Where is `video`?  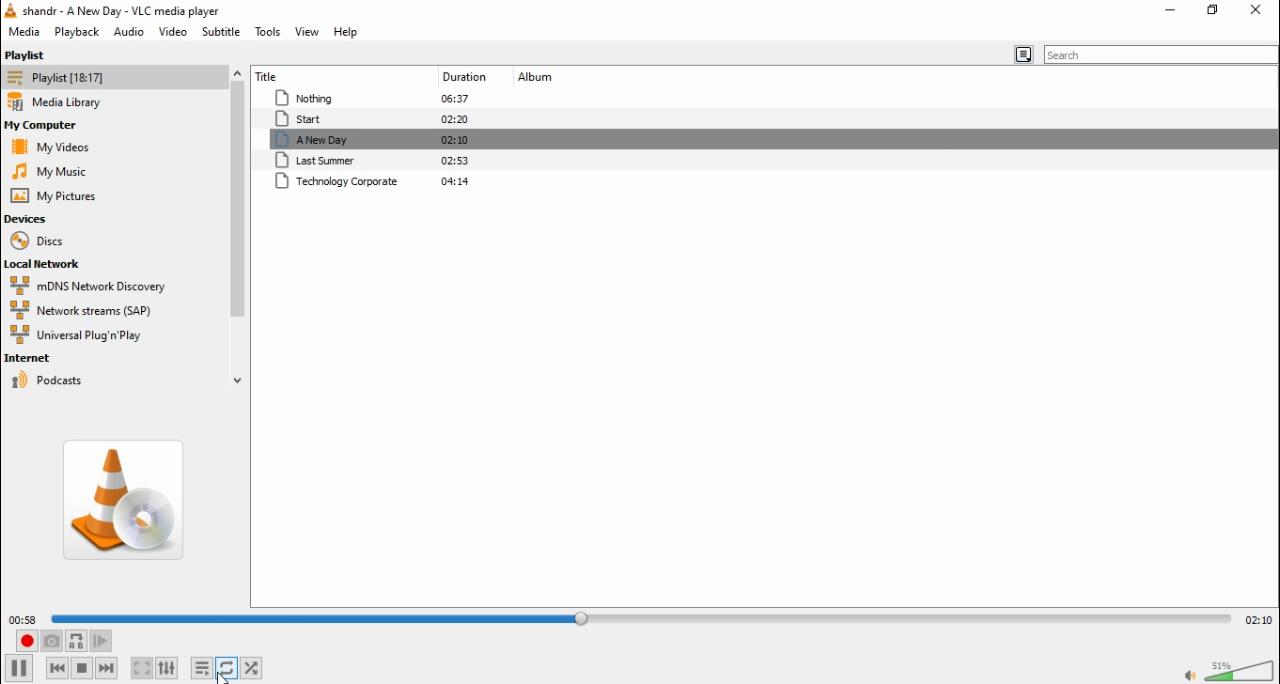
video is located at coordinates (174, 32).